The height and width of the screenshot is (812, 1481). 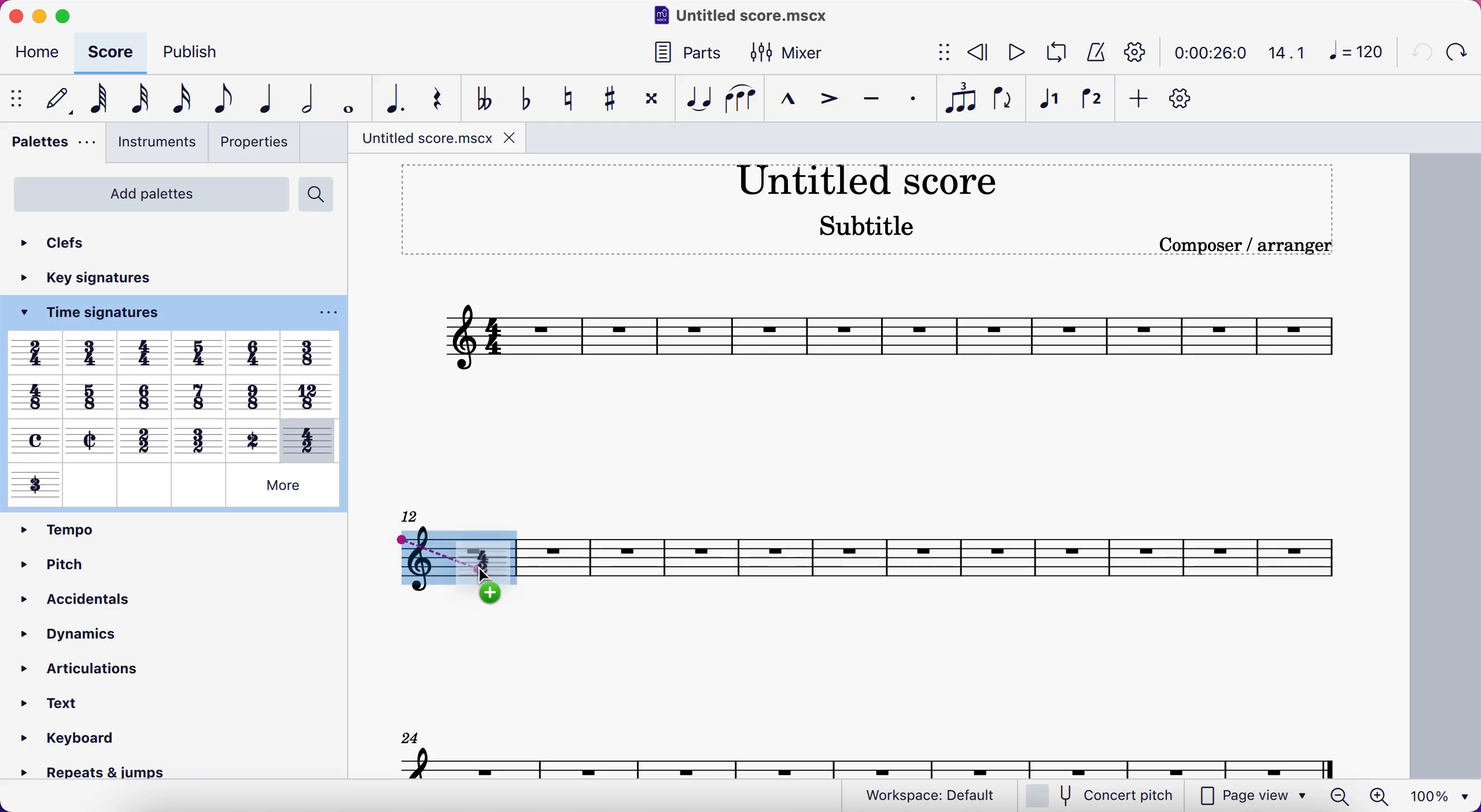 What do you see at coordinates (256, 142) in the screenshot?
I see `properties` at bounding box center [256, 142].